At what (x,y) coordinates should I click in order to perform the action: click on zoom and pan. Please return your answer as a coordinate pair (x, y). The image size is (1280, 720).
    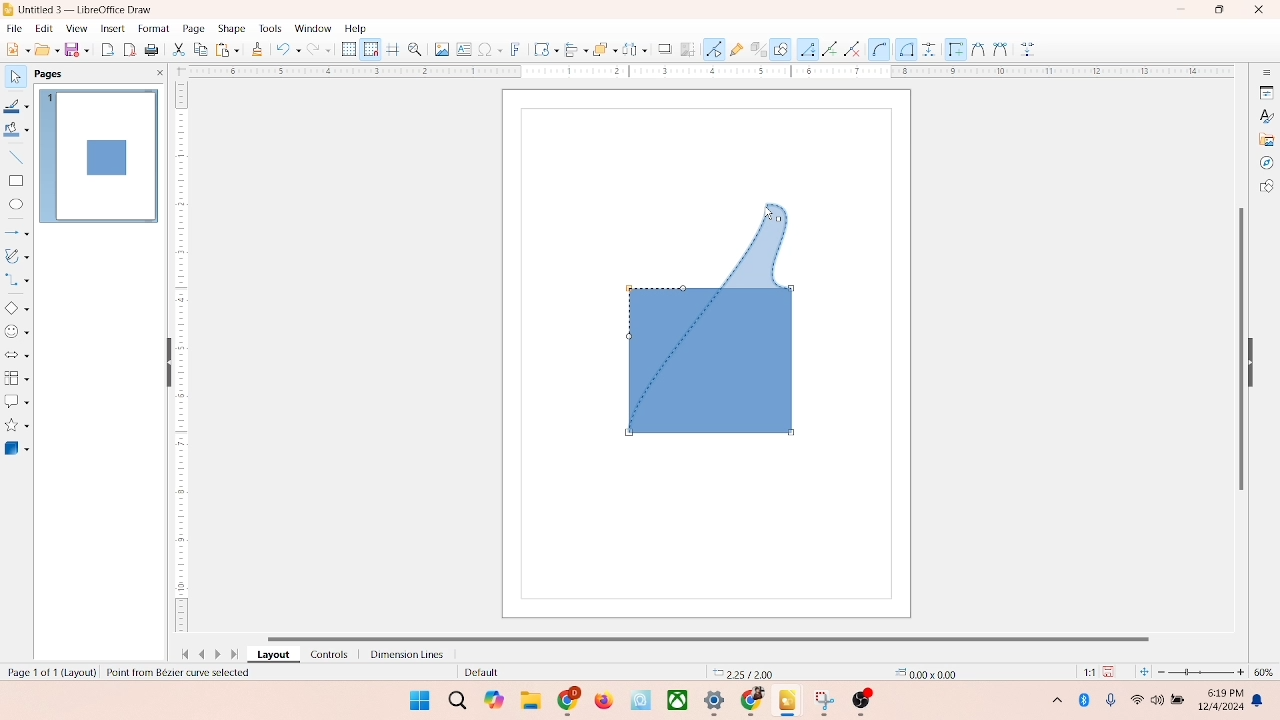
    Looking at the image, I should click on (414, 48).